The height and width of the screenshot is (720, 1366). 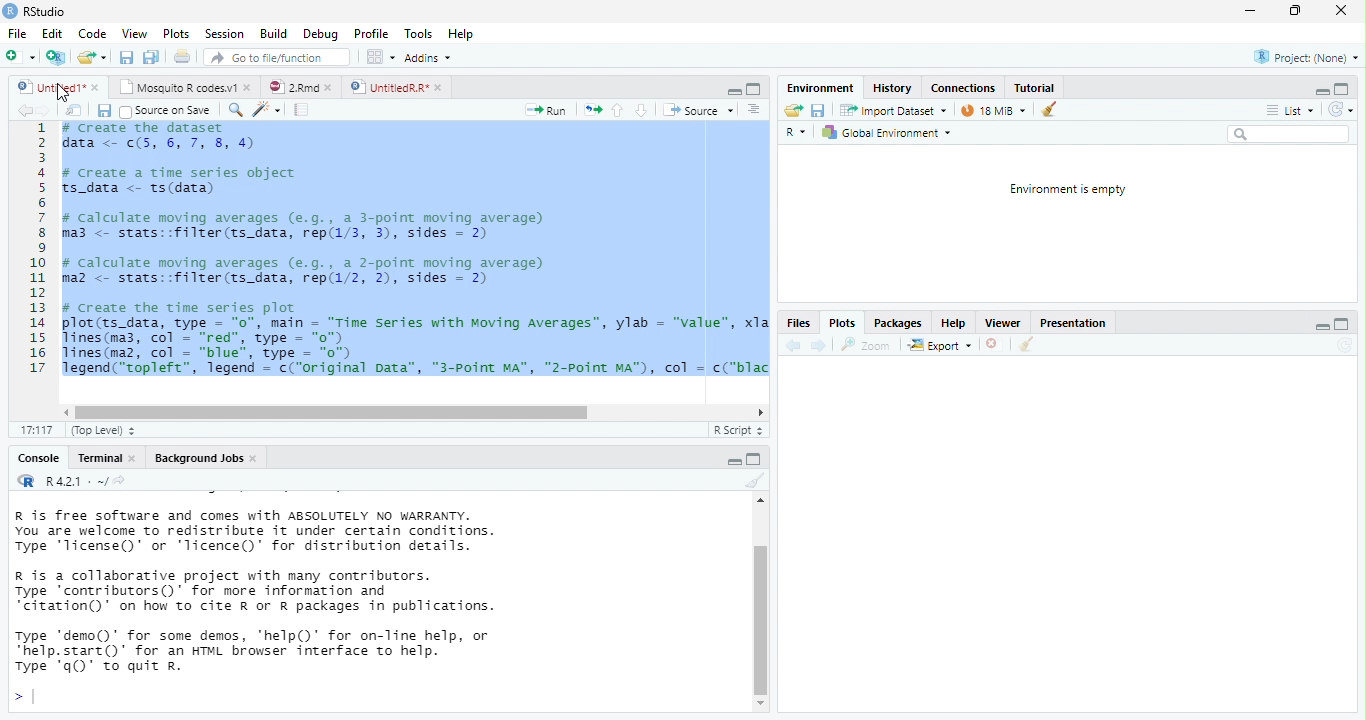 I want to click on minimize, so click(x=1323, y=329).